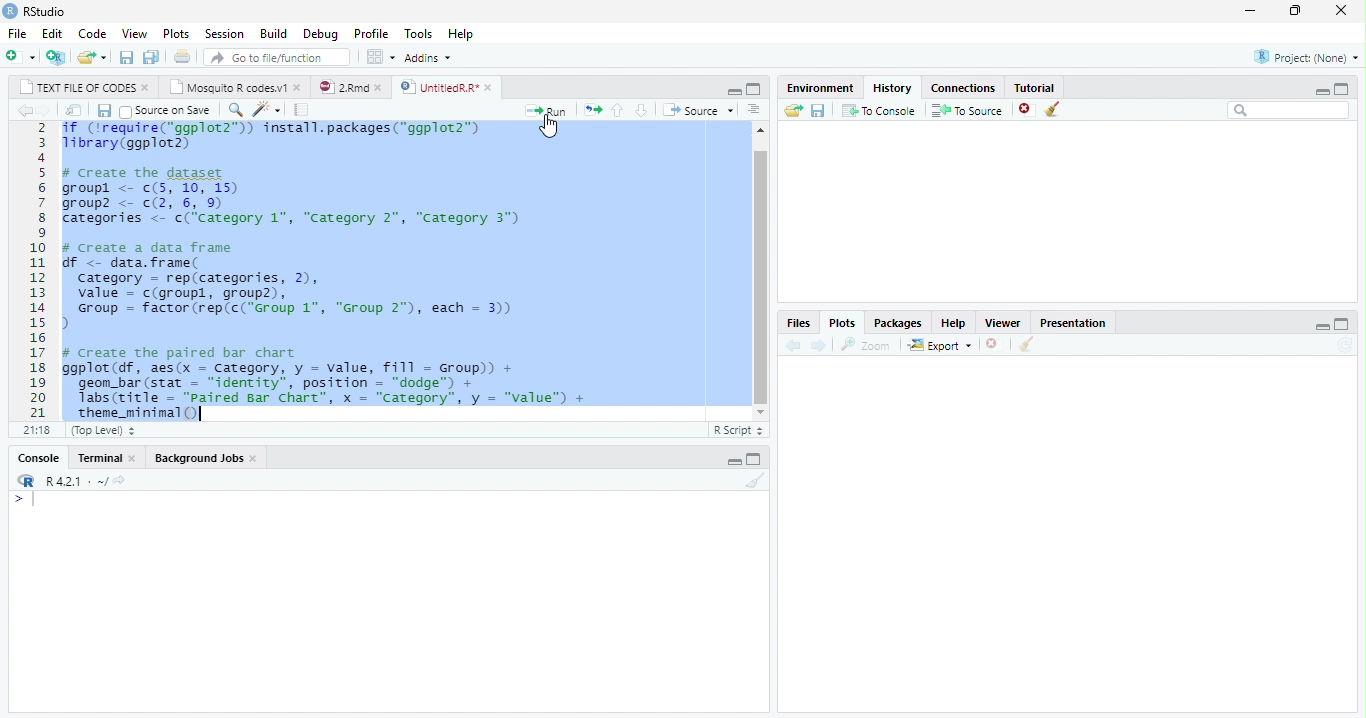  What do you see at coordinates (320, 33) in the screenshot?
I see `debug` at bounding box center [320, 33].